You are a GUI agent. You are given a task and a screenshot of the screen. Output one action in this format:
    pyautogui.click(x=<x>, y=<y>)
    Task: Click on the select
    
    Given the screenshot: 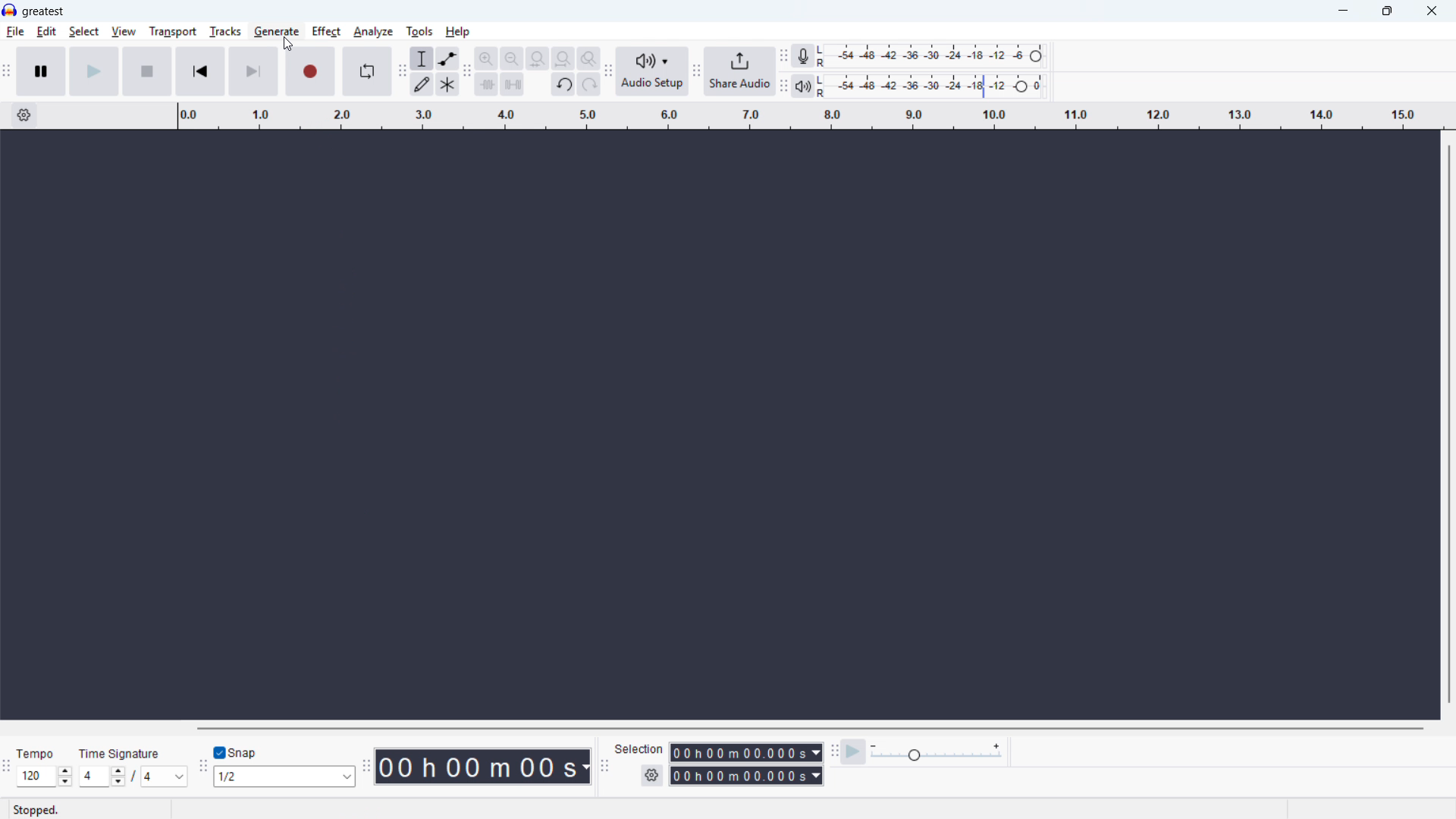 What is the action you would take?
    pyautogui.click(x=83, y=31)
    